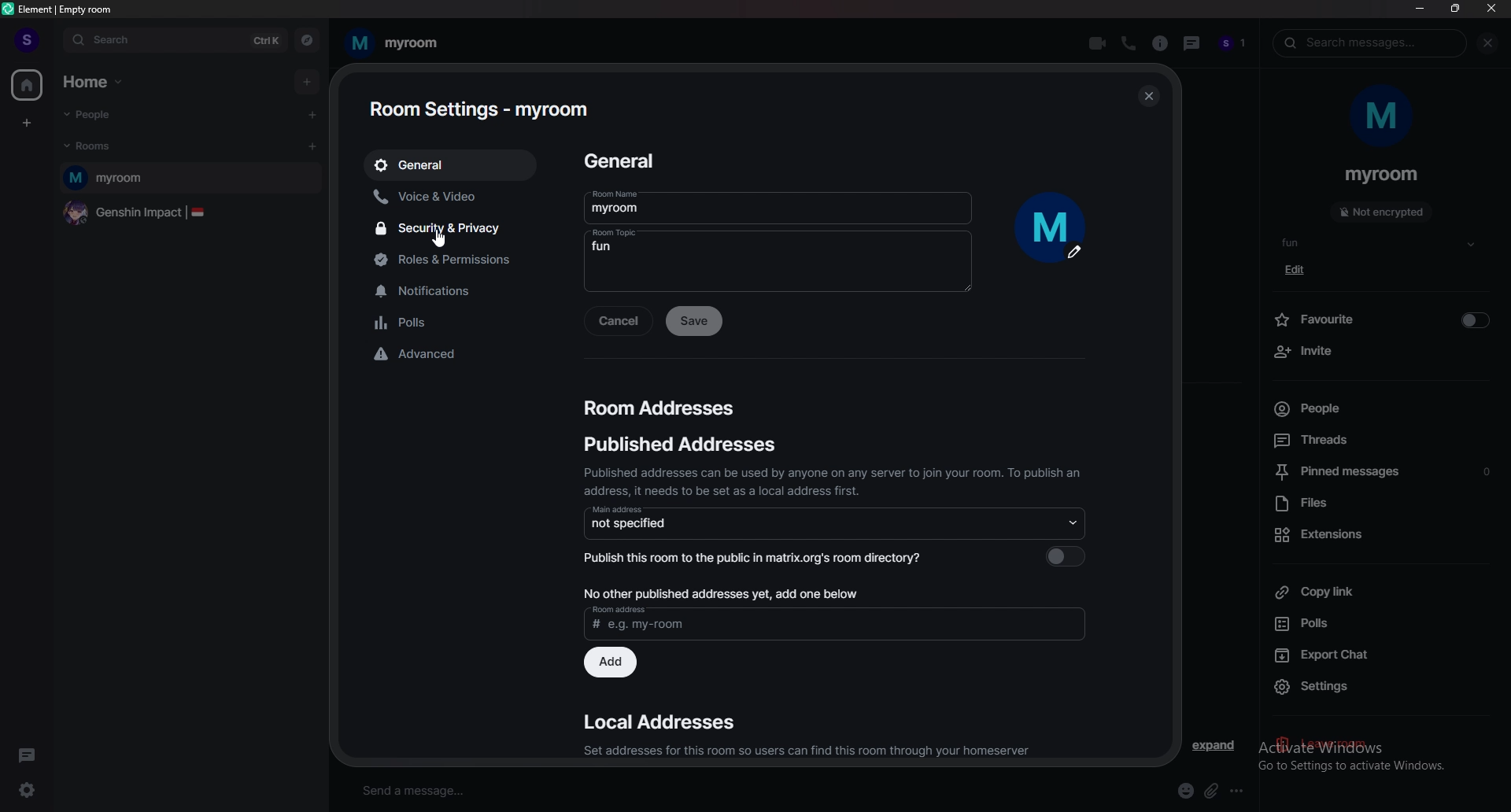  I want to click on security and privacy, so click(395, 229).